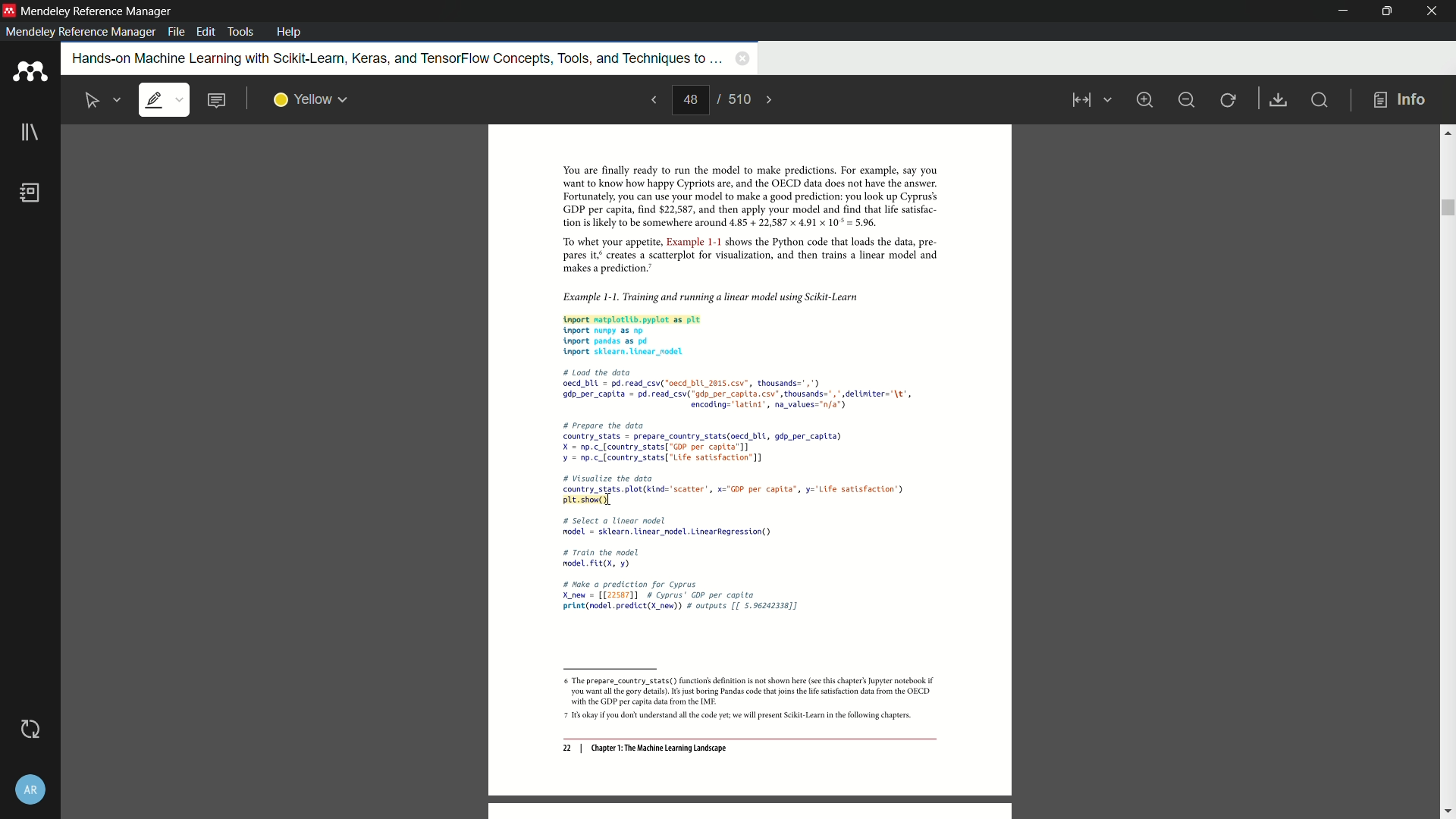  Describe the element at coordinates (394, 59) in the screenshot. I see `book name` at that location.